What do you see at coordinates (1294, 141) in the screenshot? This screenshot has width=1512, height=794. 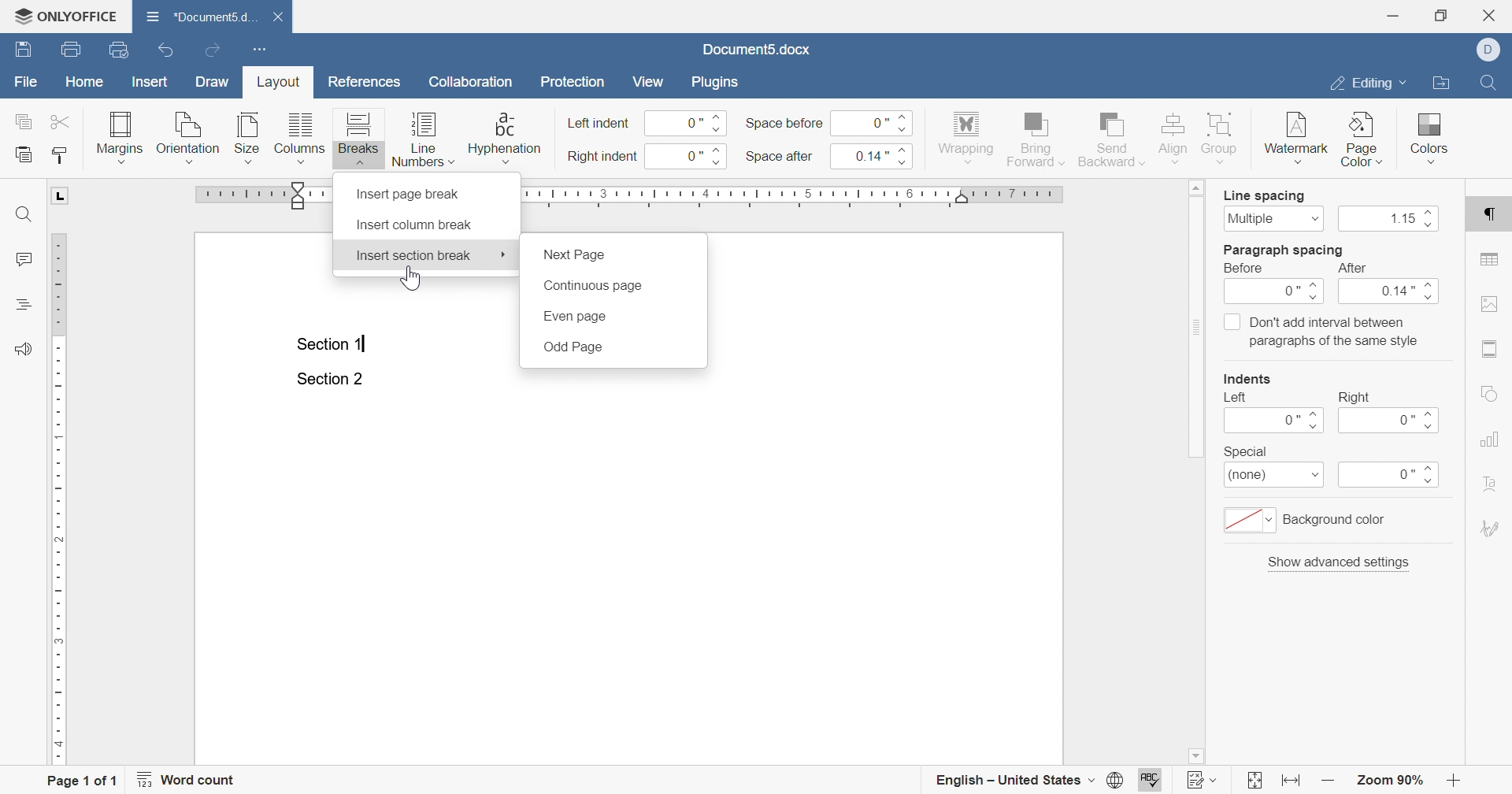 I see `watermark` at bounding box center [1294, 141].